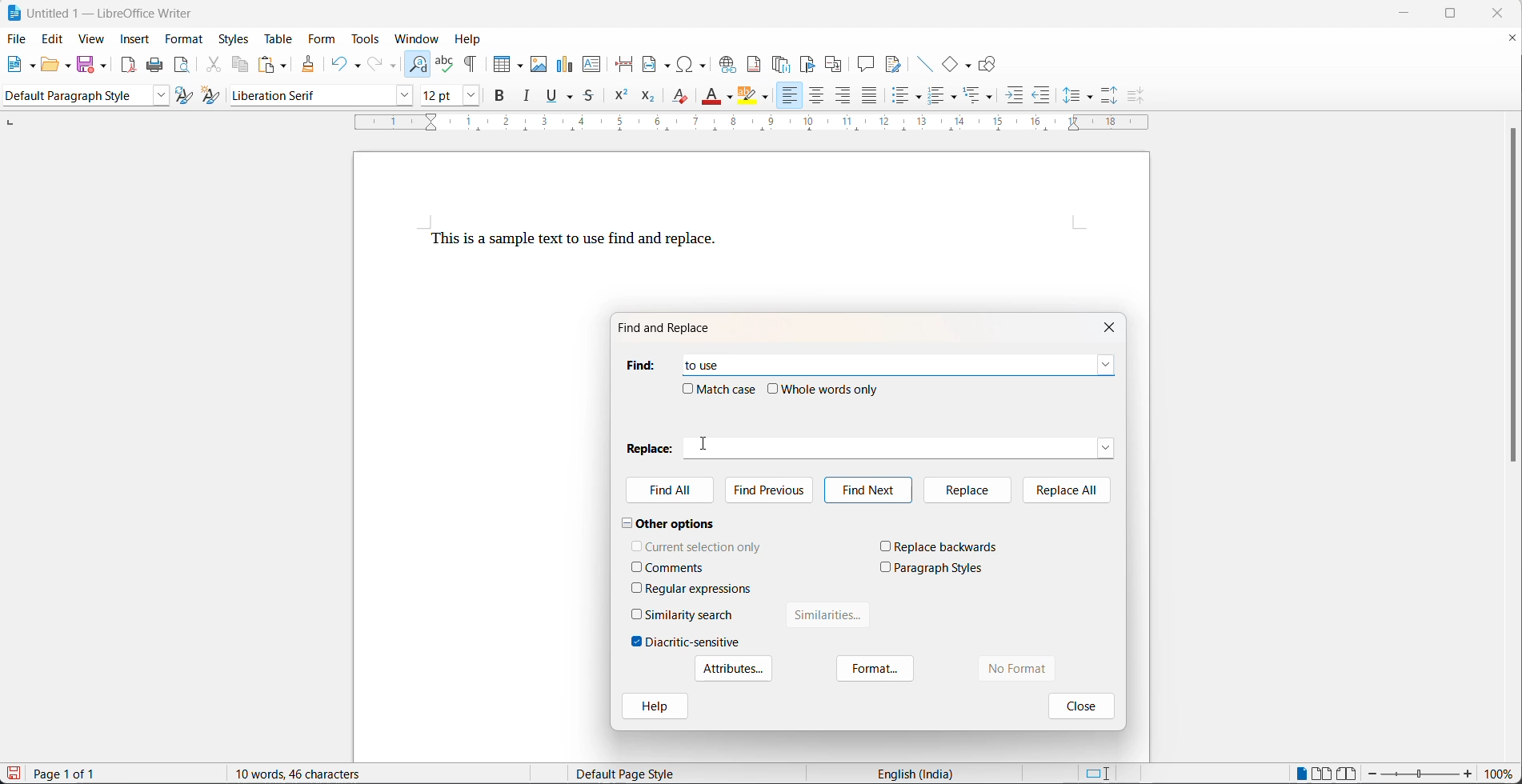  Describe the element at coordinates (637, 642) in the screenshot. I see `checkbox` at that location.